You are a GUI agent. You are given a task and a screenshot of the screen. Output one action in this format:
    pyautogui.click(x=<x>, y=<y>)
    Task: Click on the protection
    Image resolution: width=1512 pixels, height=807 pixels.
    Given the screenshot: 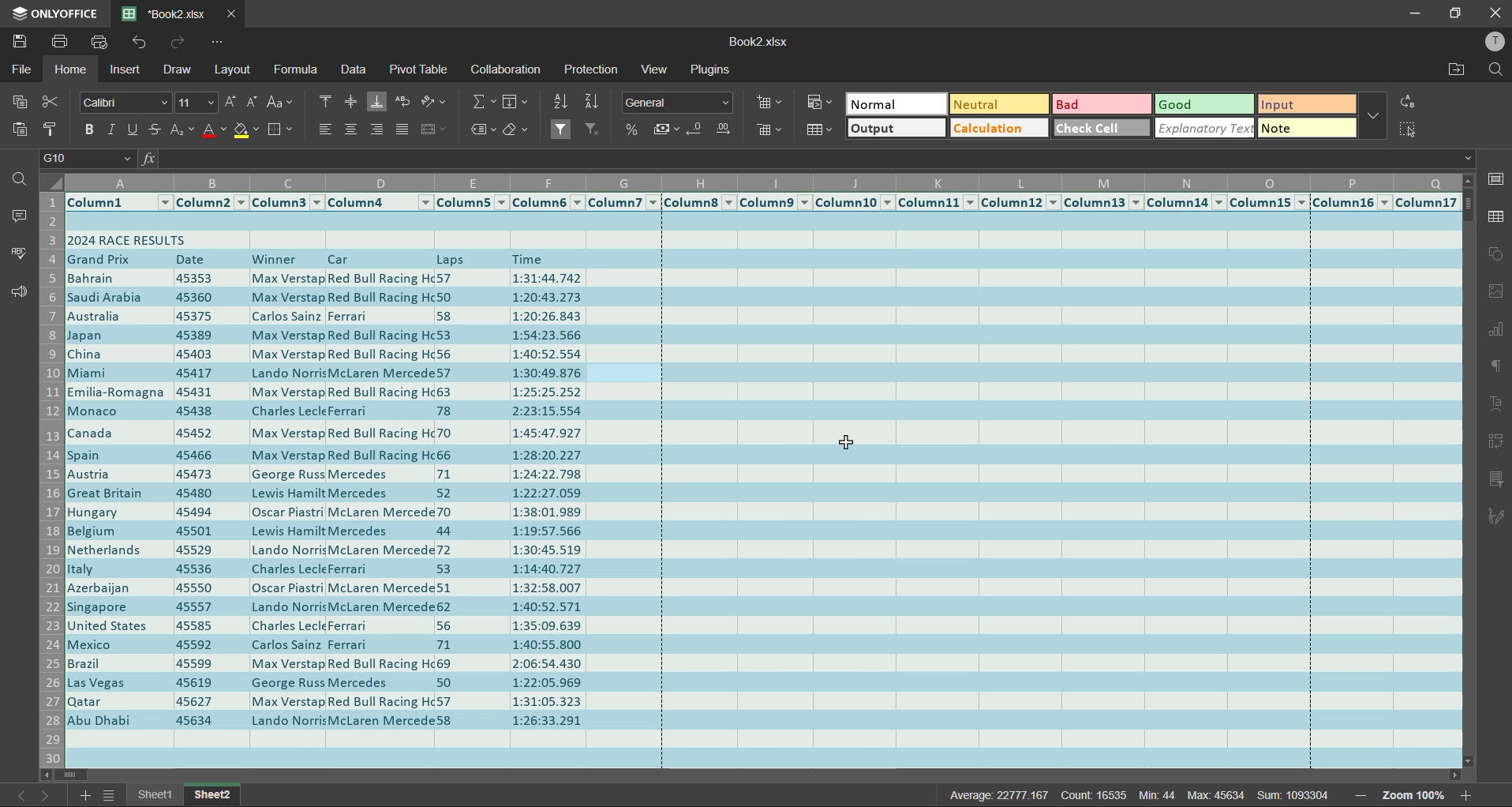 What is the action you would take?
    pyautogui.click(x=593, y=72)
    